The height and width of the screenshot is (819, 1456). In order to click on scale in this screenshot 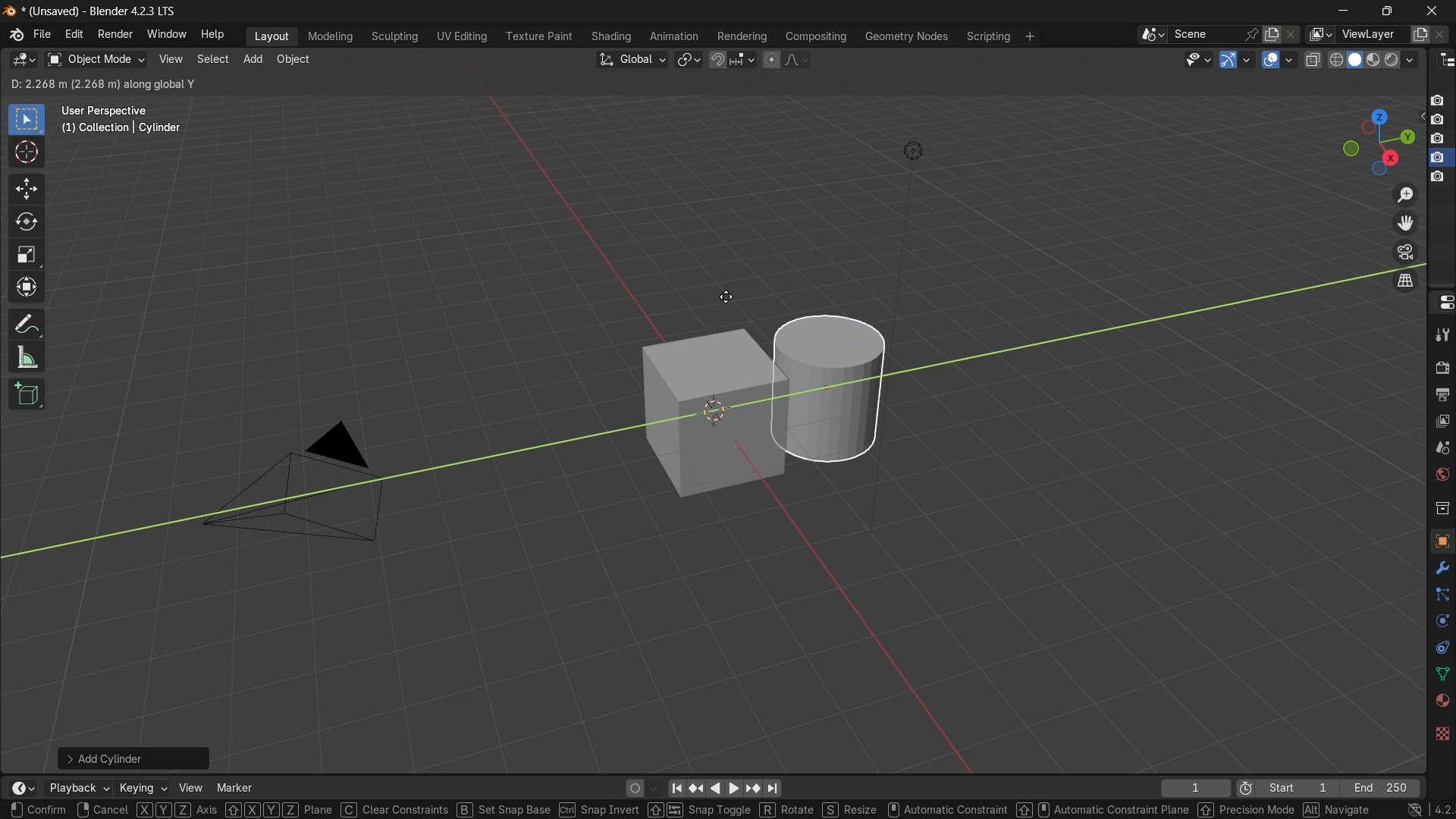, I will do `click(26, 255)`.